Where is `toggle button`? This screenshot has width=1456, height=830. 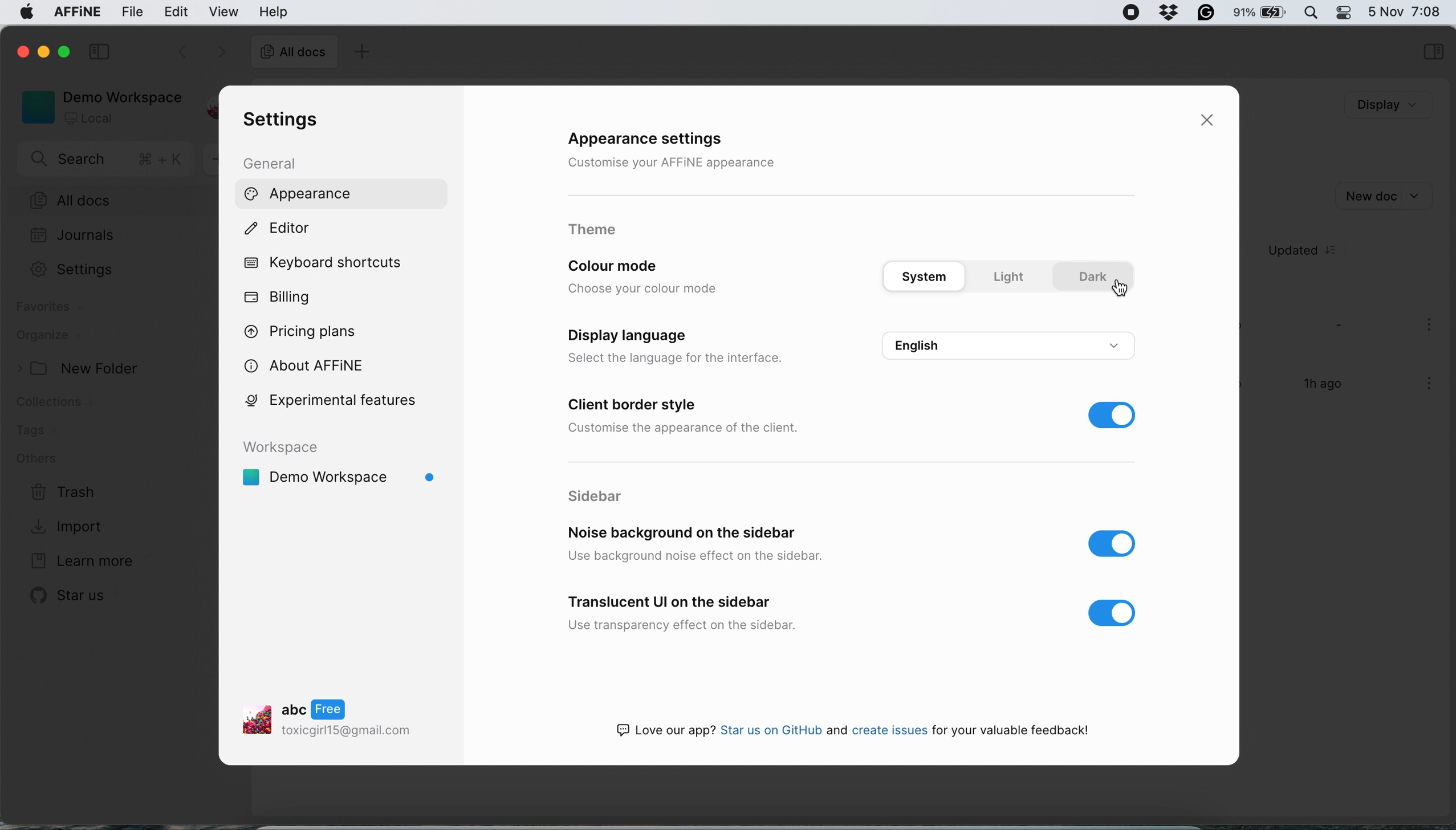
toggle button is located at coordinates (1116, 543).